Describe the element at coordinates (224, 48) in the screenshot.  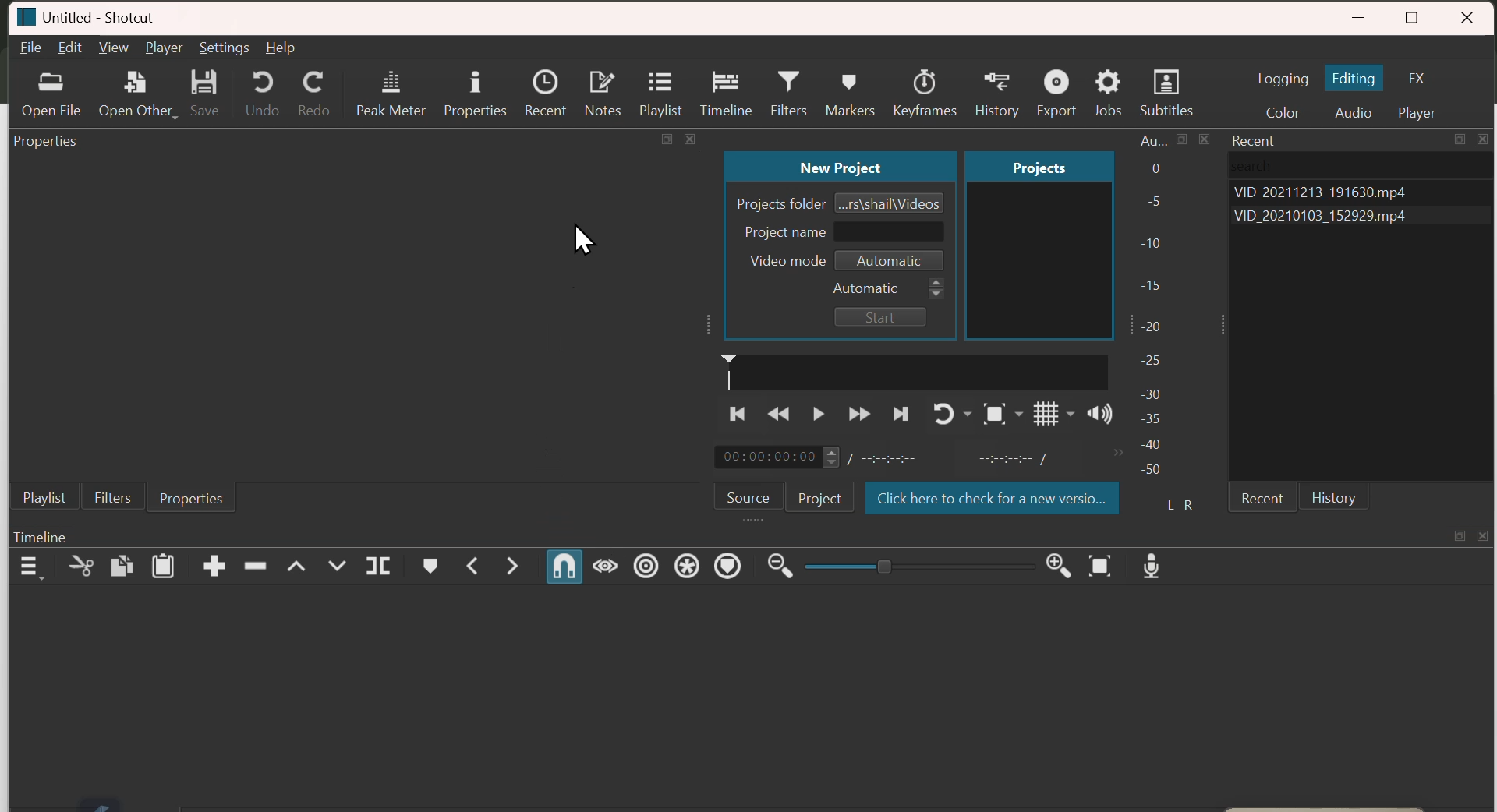
I see `Settings` at that location.